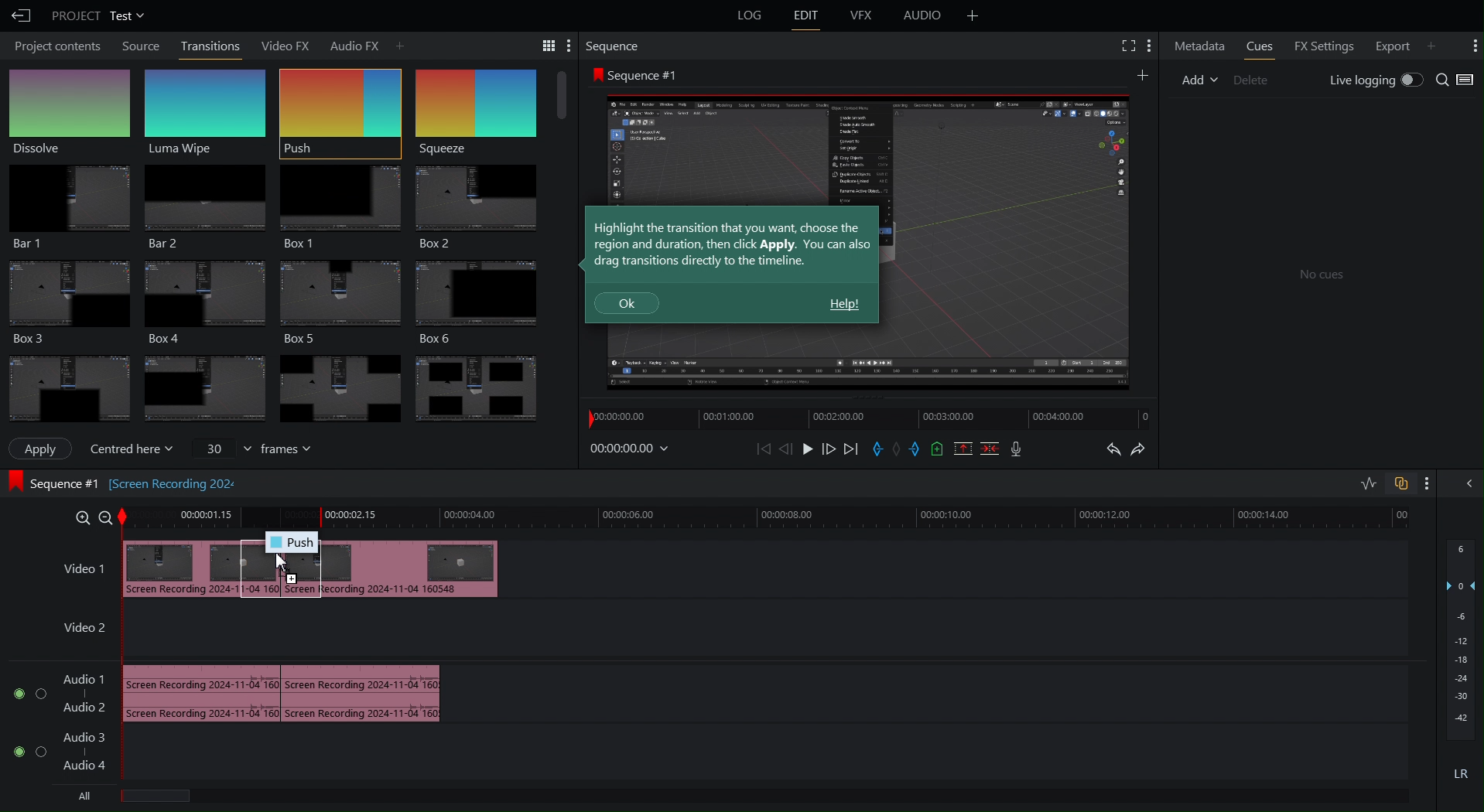  What do you see at coordinates (1473, 44) in the screenshot?
I see `More` at bounding box center [1473, 44].